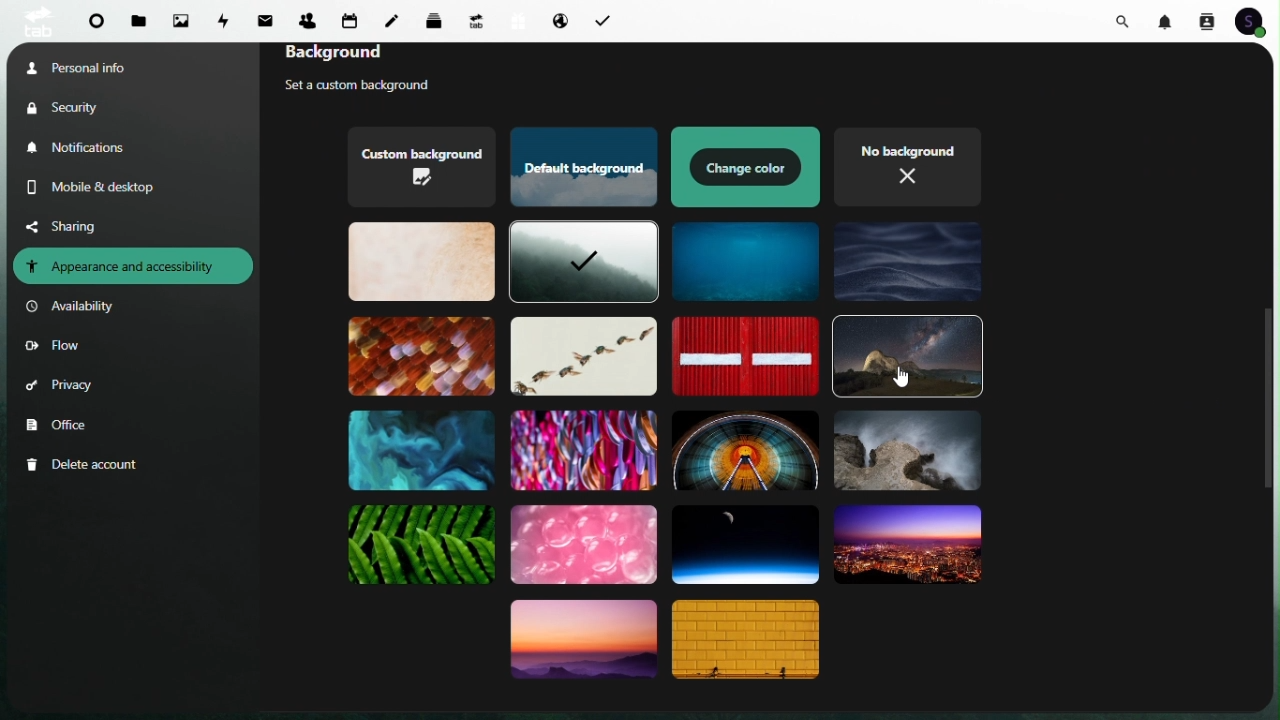 The image size is (1280, 720). What do you see at coordinates (746, 261) in the screenshot?
I see `Themes` at bounding box center [746, 261].